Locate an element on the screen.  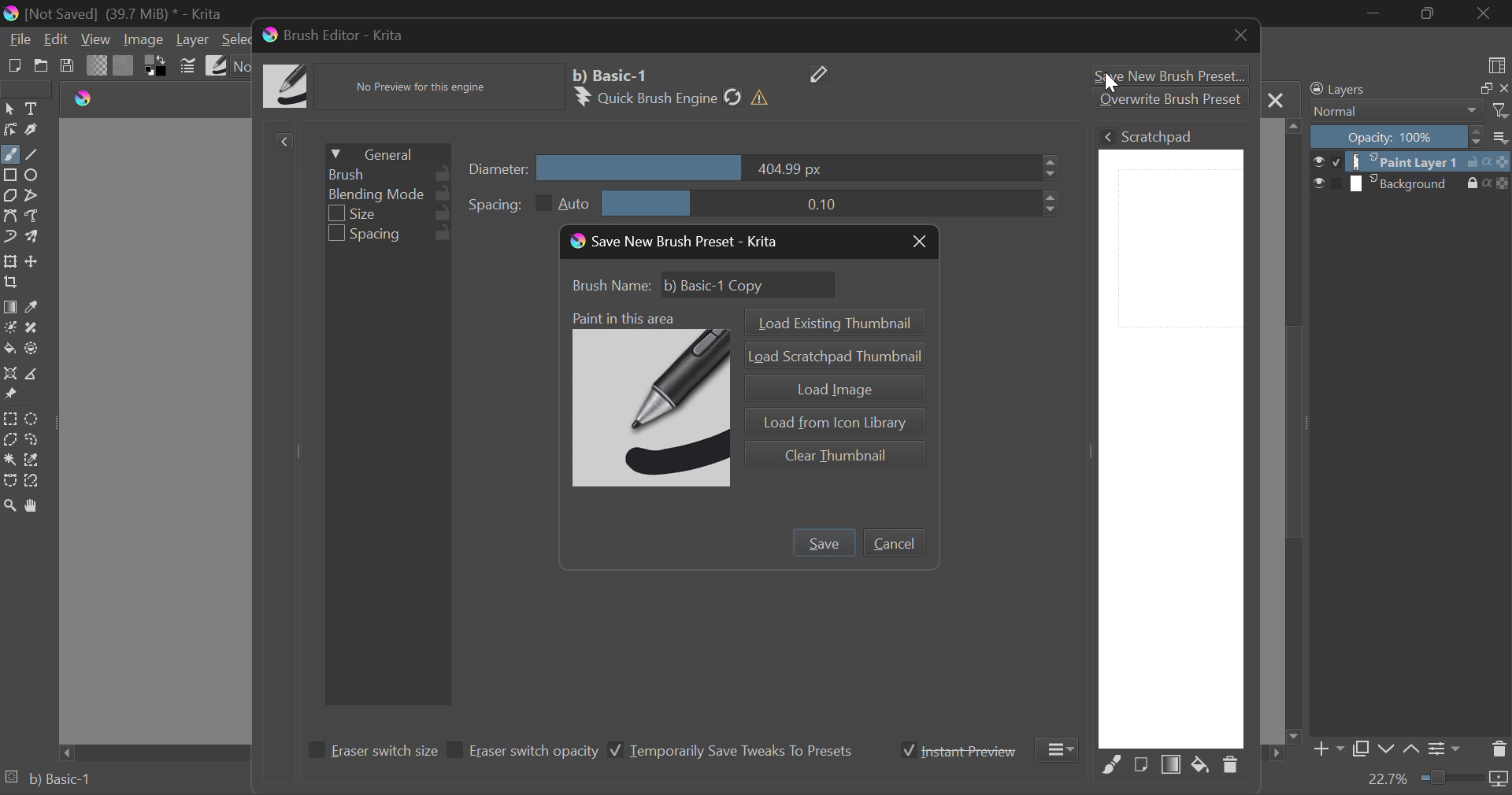
Move Layer Down is located at coordinates (1388, 749).